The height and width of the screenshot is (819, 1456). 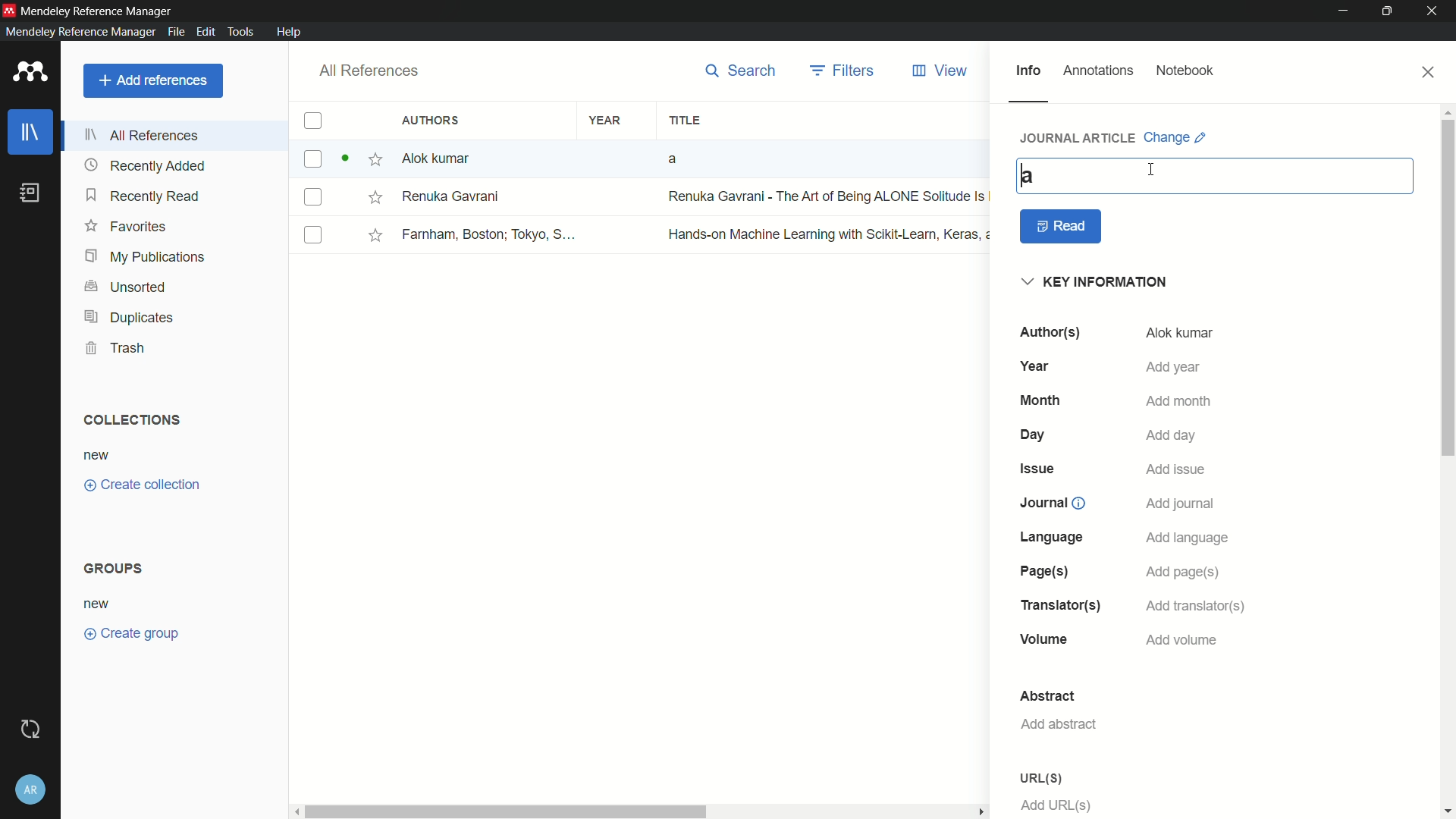 I want to click on view, so click(x=941, y=71).